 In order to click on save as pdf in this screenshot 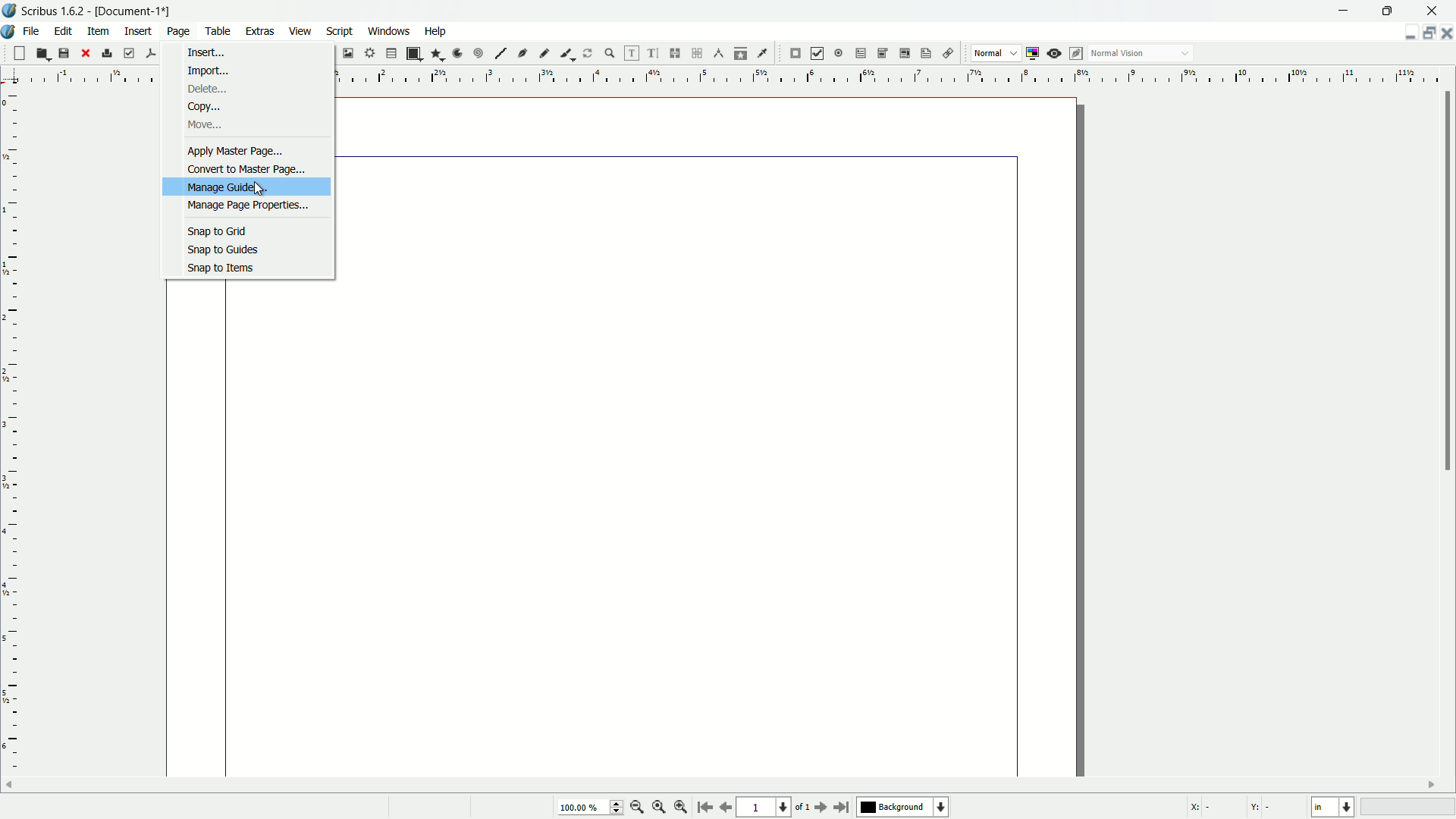, I will do `click(151, 52)`.